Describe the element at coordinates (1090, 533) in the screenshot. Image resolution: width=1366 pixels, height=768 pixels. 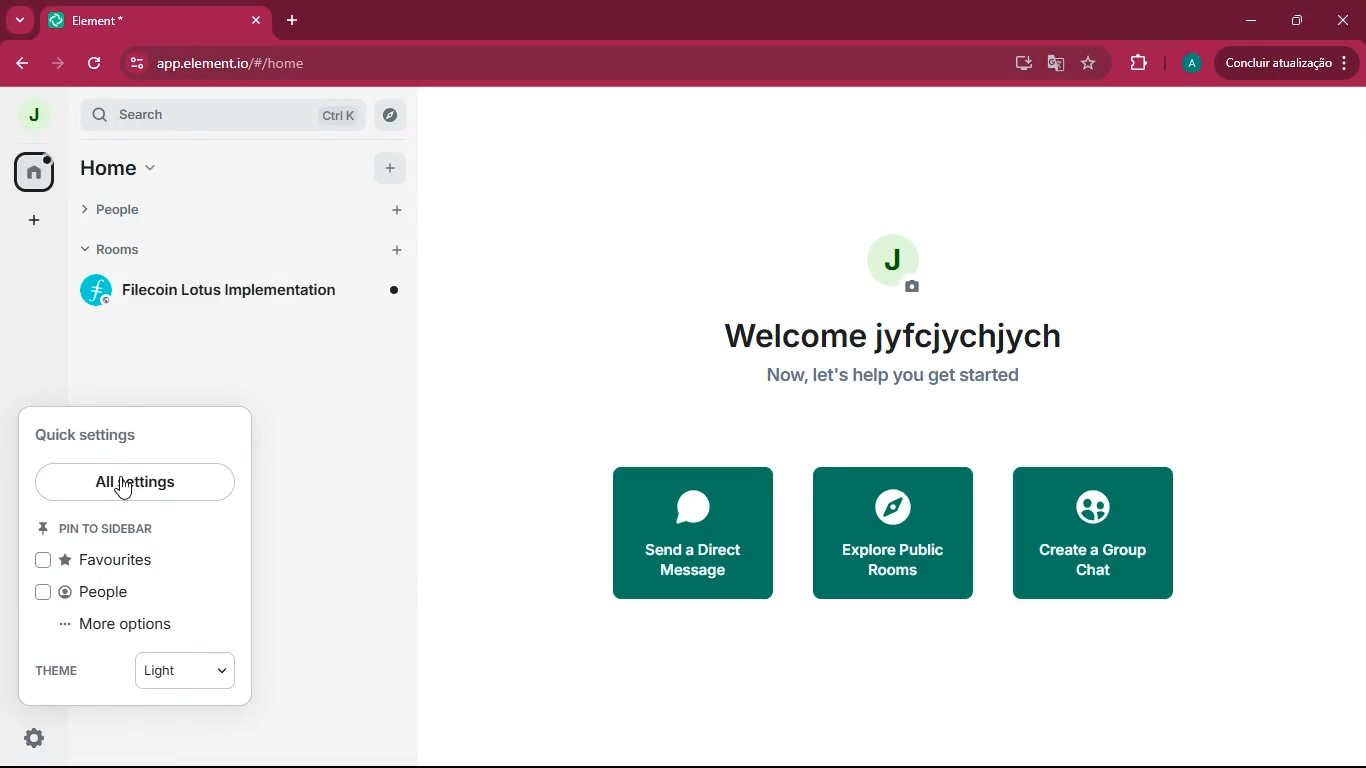
I see `create` at that location.